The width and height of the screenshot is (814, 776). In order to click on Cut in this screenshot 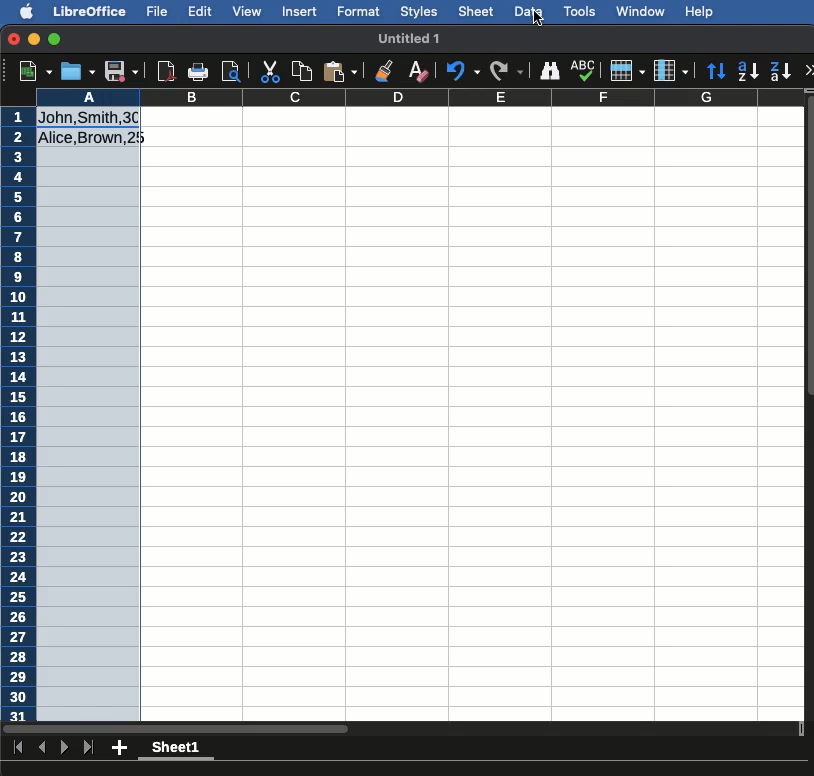, I will do `click(271, 69)`.